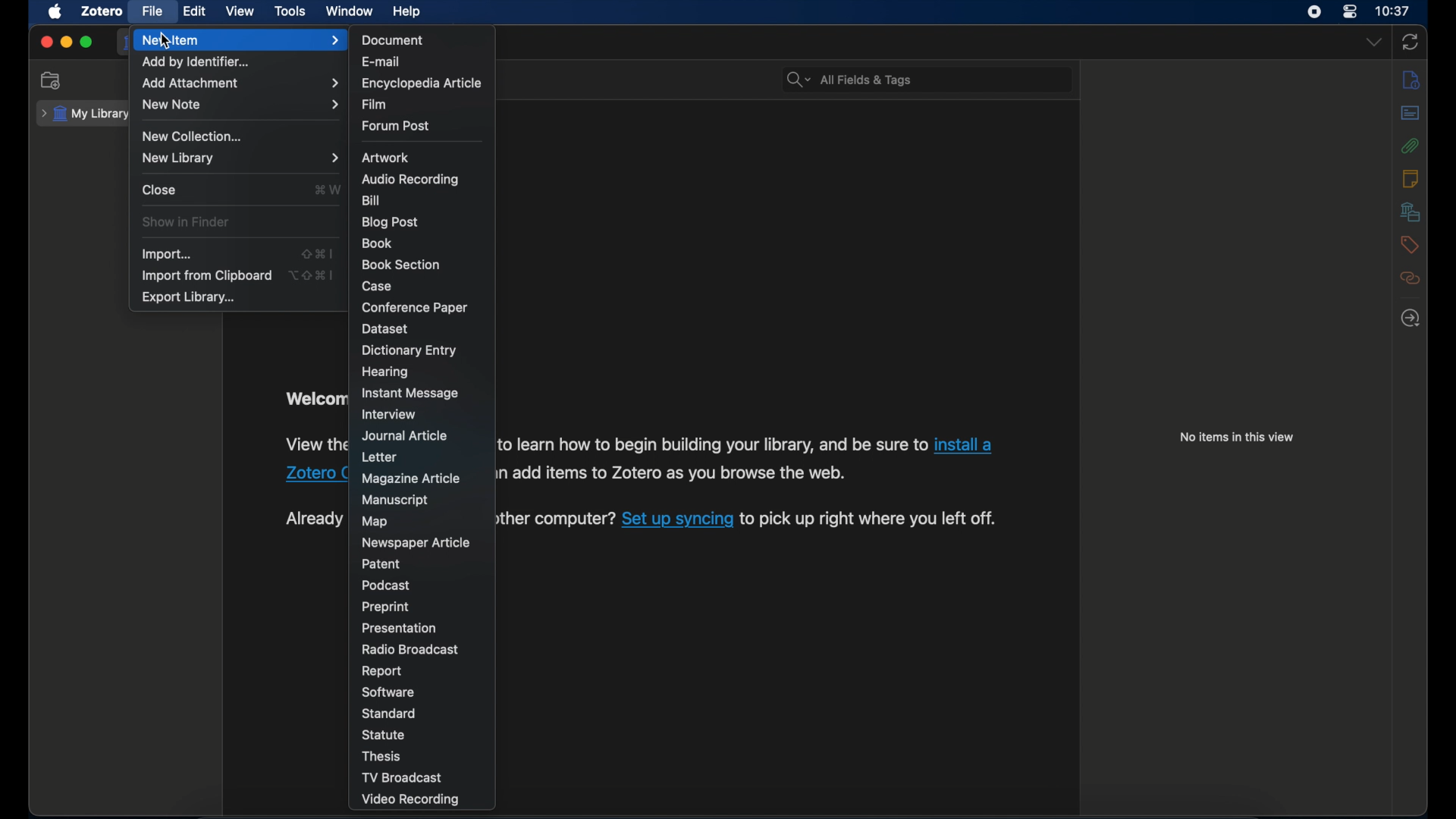 This screenshot has height=819, width=1456. What do you see at coordinates (387, 372) in the screenshot?
I see `hearing` at bounding box center [387, 372].